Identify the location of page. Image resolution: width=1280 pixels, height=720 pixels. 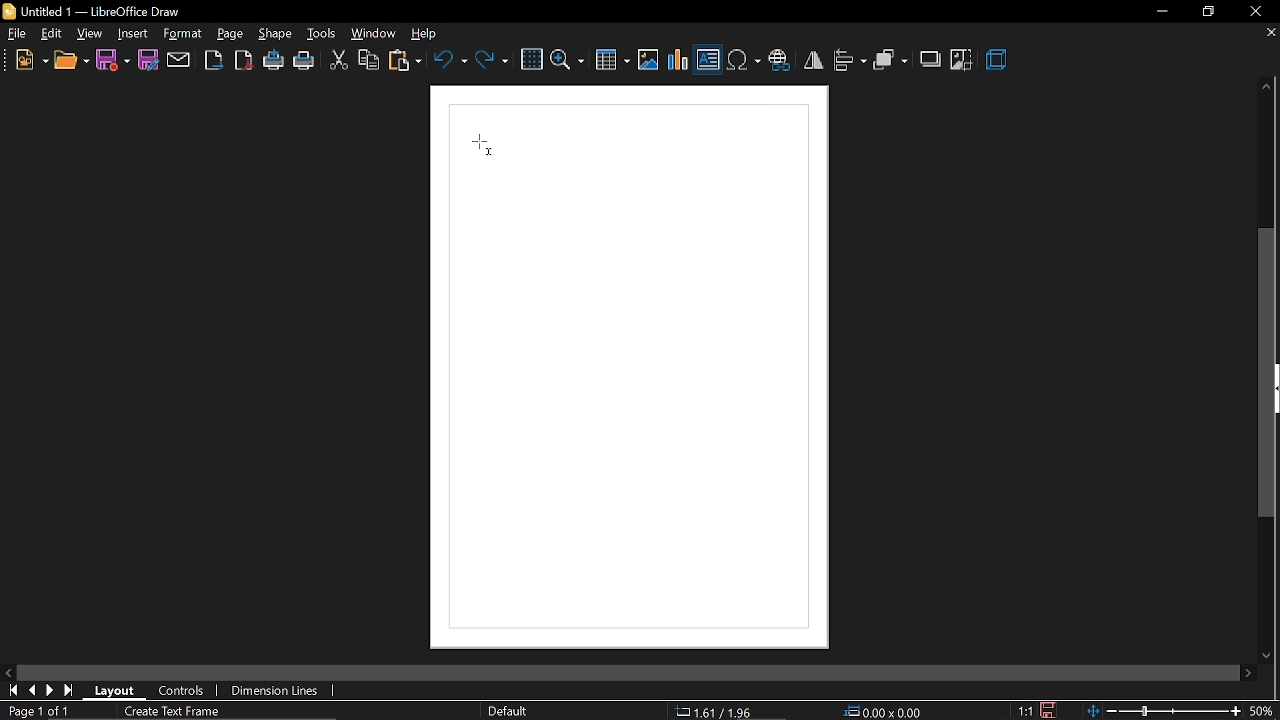
(230, 34).